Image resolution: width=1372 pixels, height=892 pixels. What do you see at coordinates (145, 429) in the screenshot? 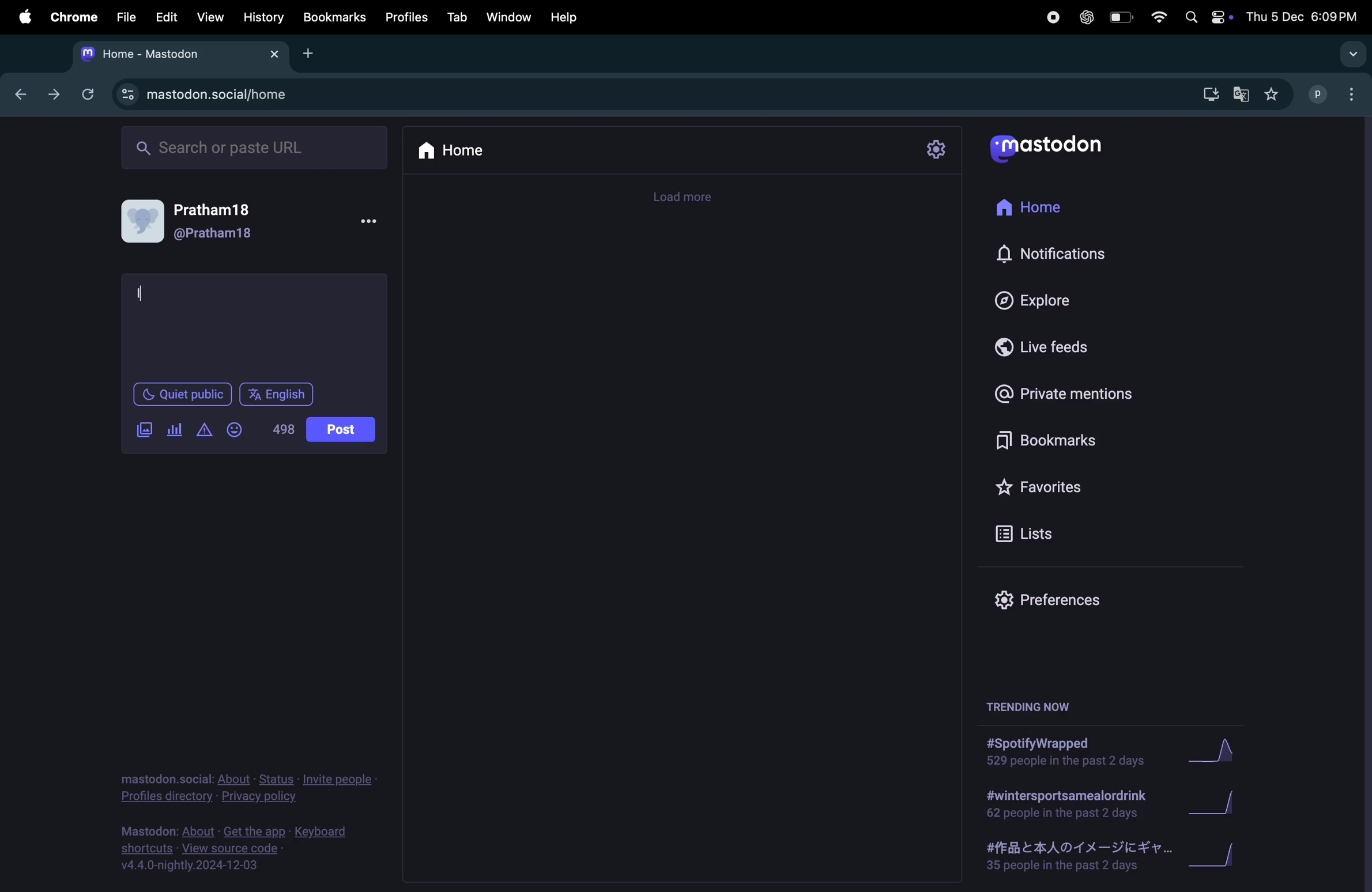
I see `add image` at bounding box center [145, 429].